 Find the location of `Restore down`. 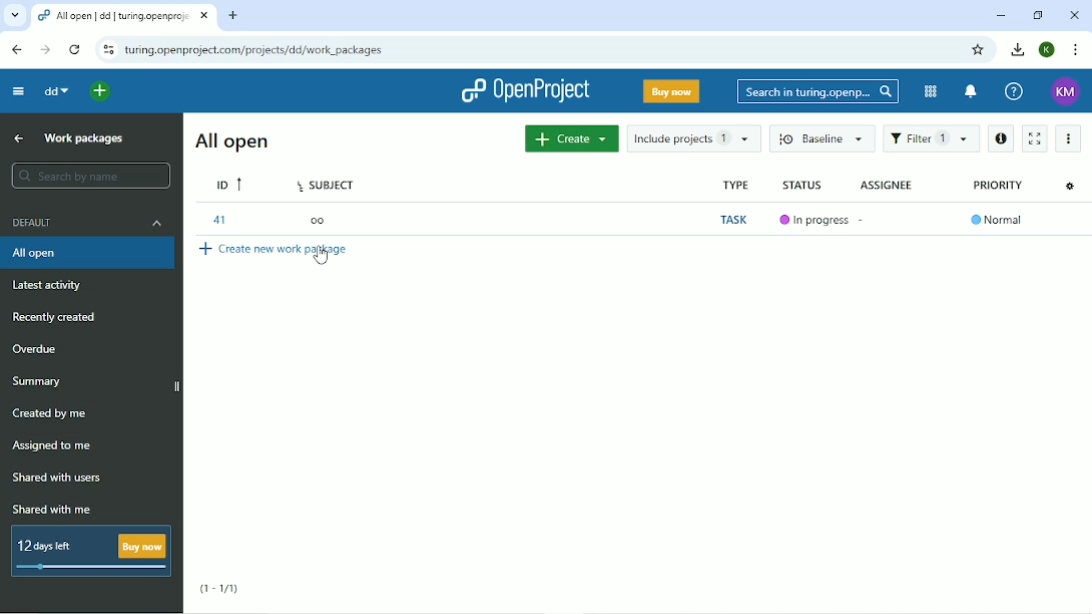

Restore down is located at coordinates (1035, 15).